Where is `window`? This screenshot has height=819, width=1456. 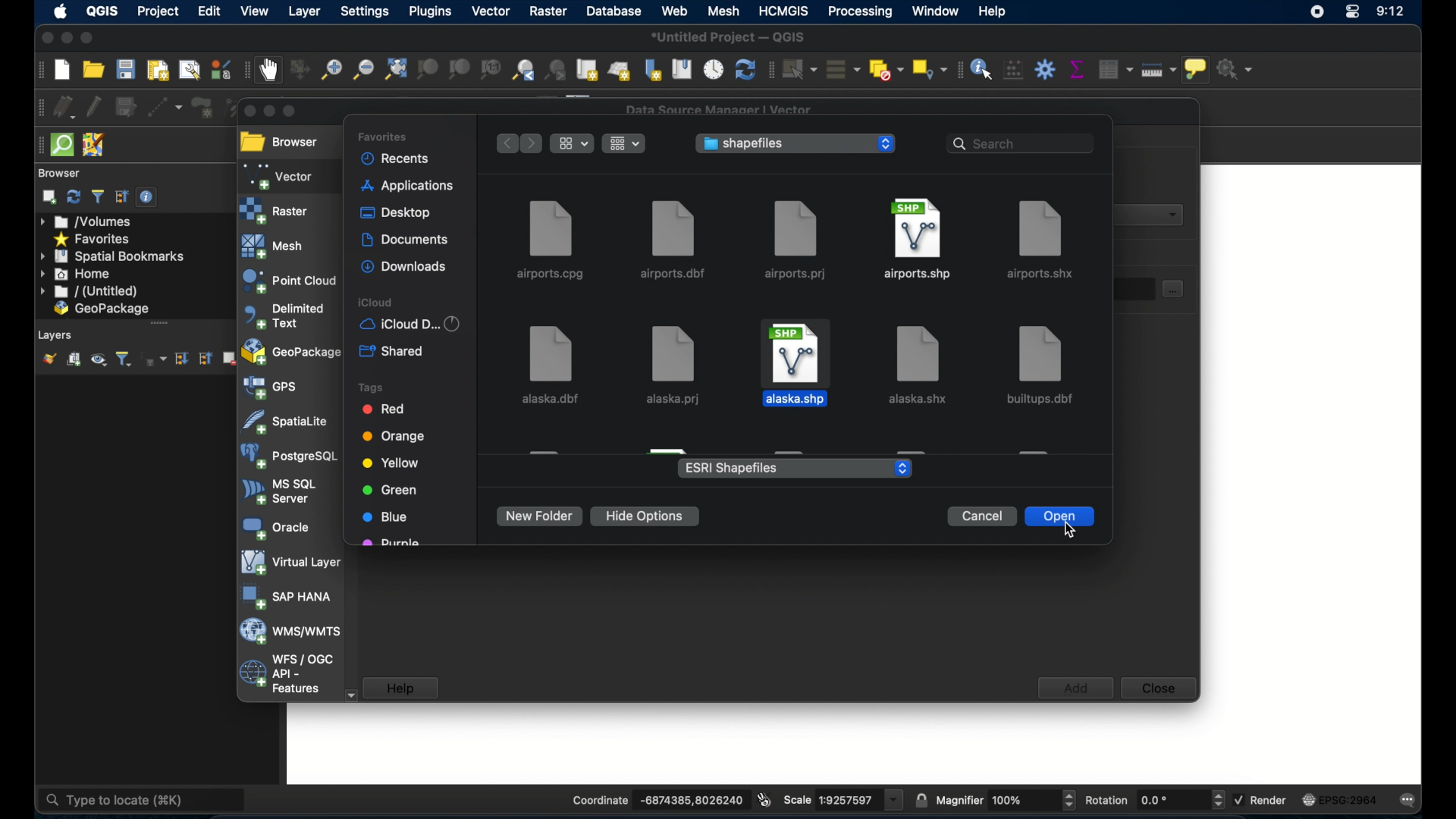 window is located at coordinates (935, 13).